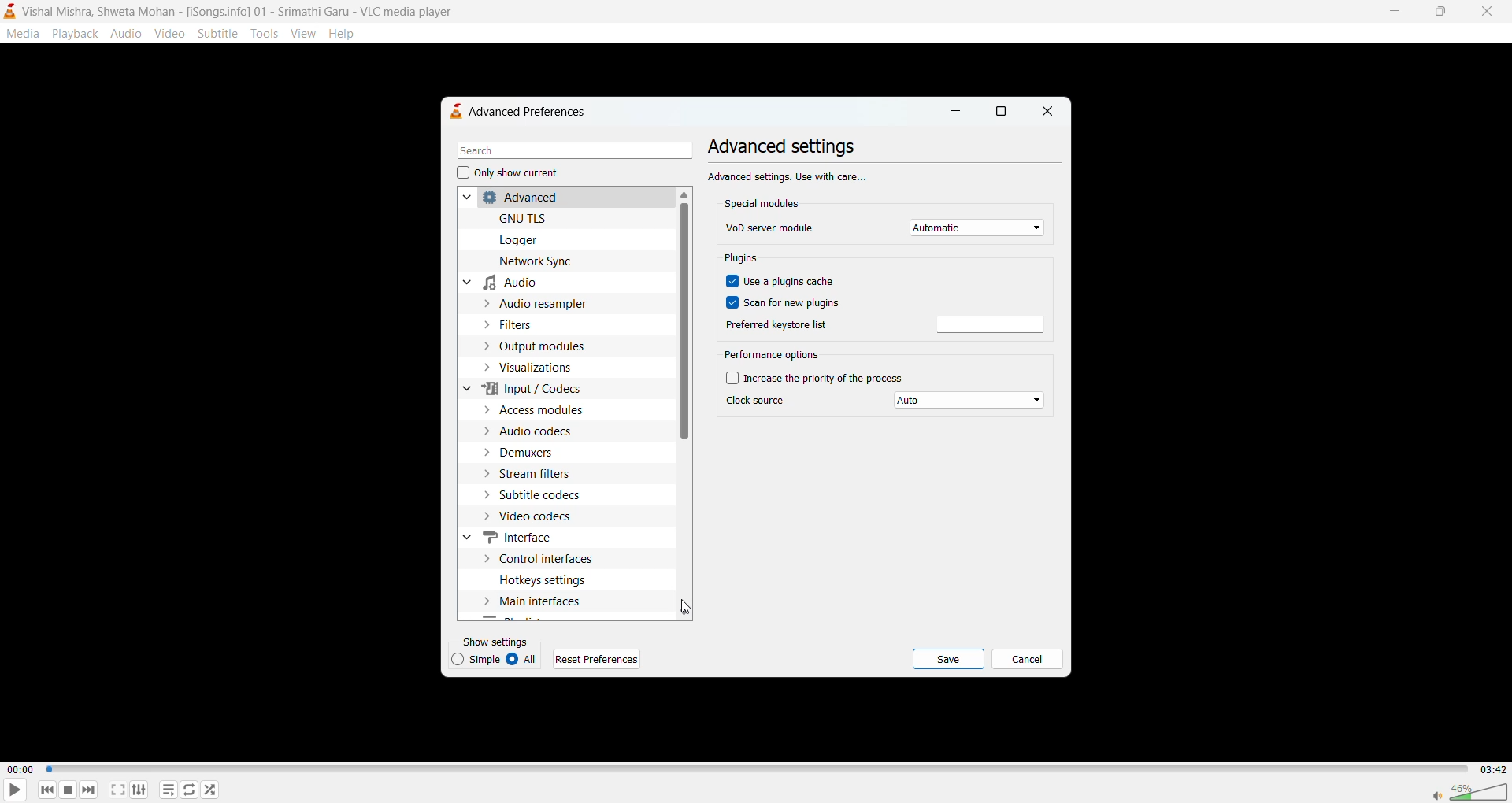  I want to click on filters, so click(525, 324).